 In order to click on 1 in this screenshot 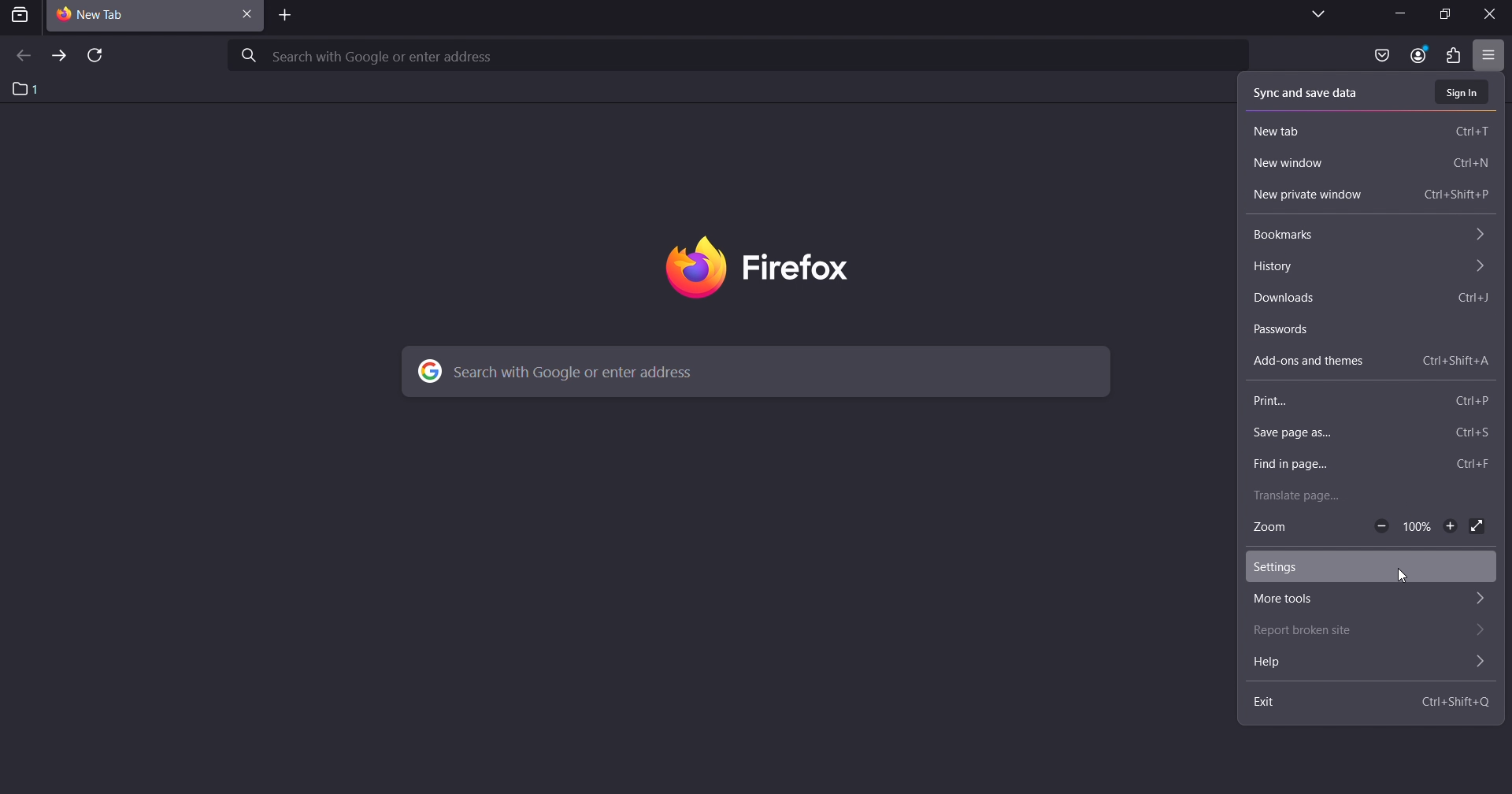, I will do `click(25, 90)`.